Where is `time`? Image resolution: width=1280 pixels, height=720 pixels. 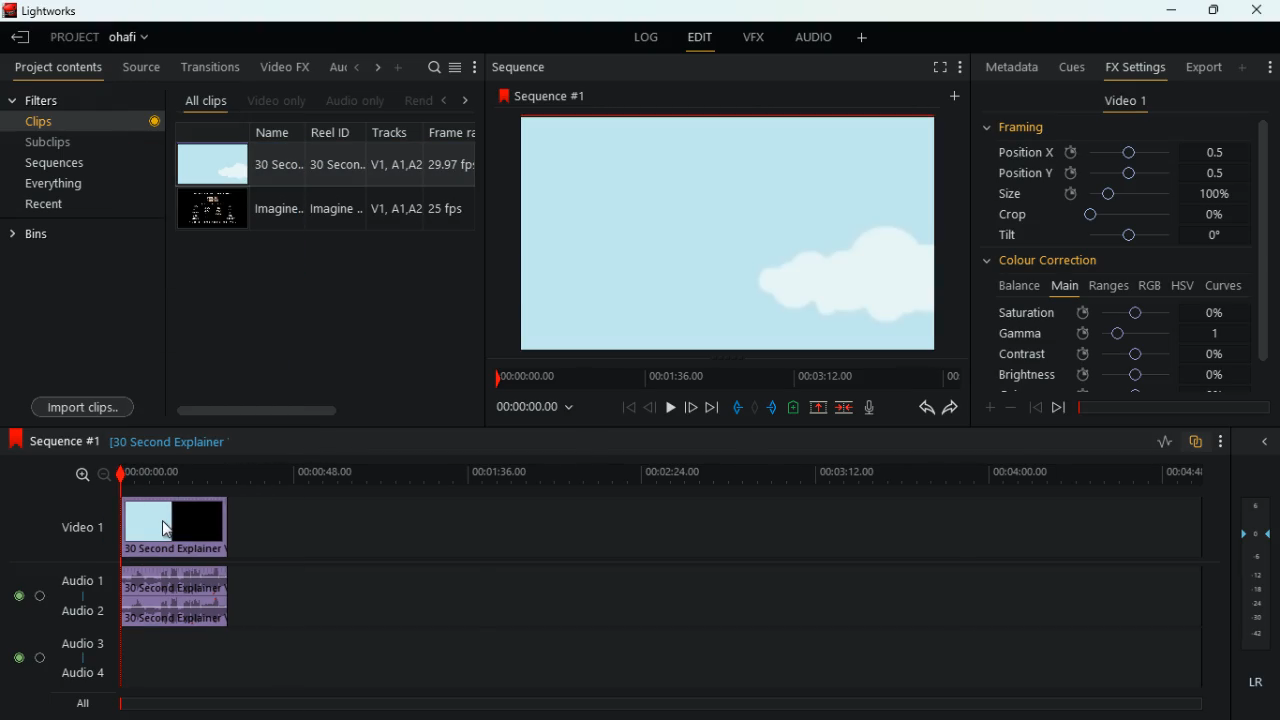
time is located at coordinates (167, 442).